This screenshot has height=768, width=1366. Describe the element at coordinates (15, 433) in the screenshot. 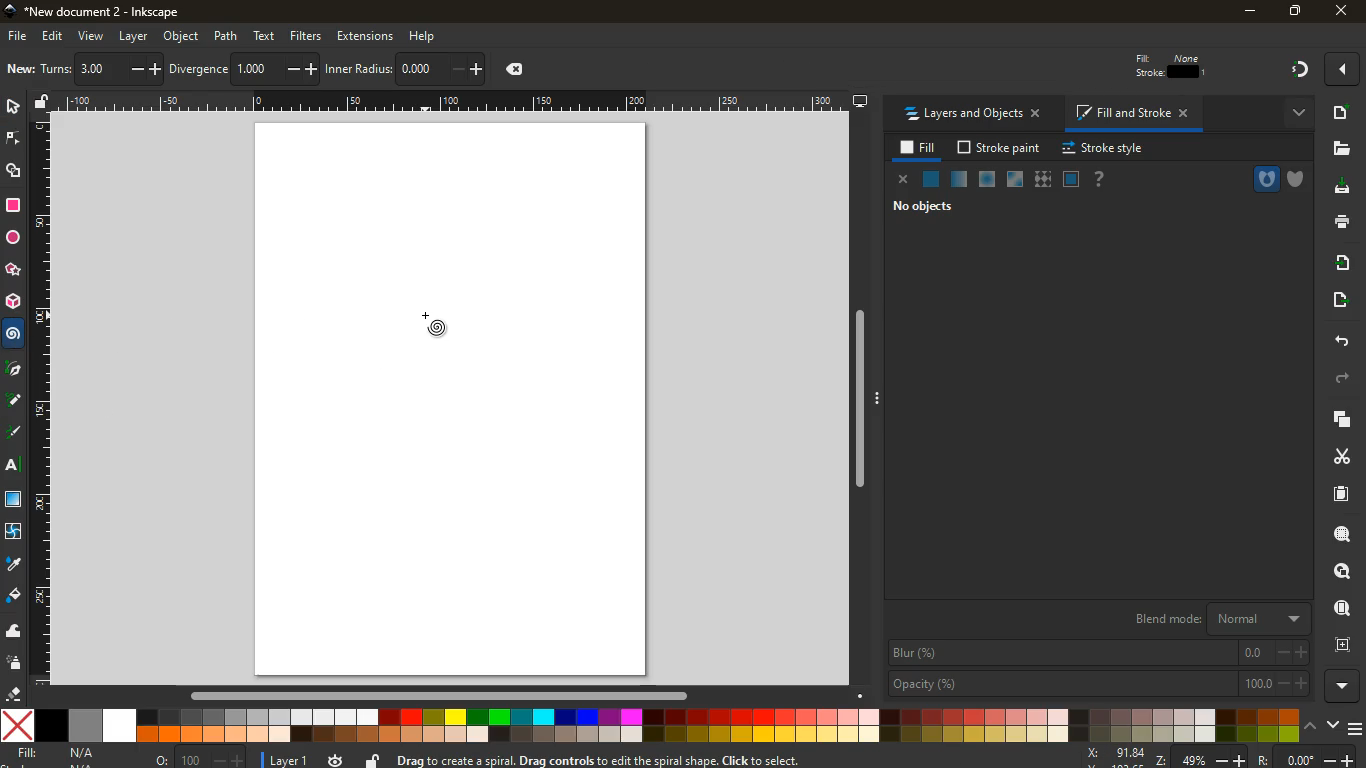

I see `r` at that location.